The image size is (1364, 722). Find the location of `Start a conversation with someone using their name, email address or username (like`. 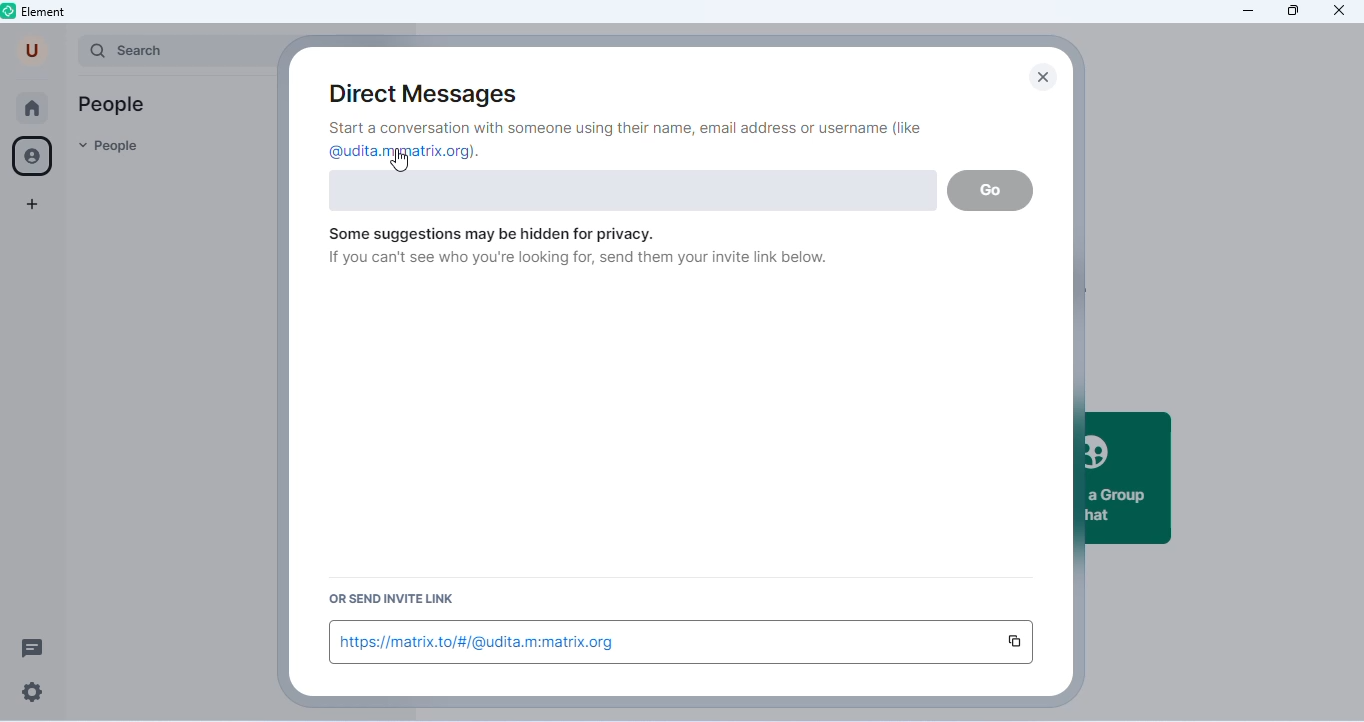

Start a conversation with someone using their name, email address or username (like is located at coordinates (626, 128).